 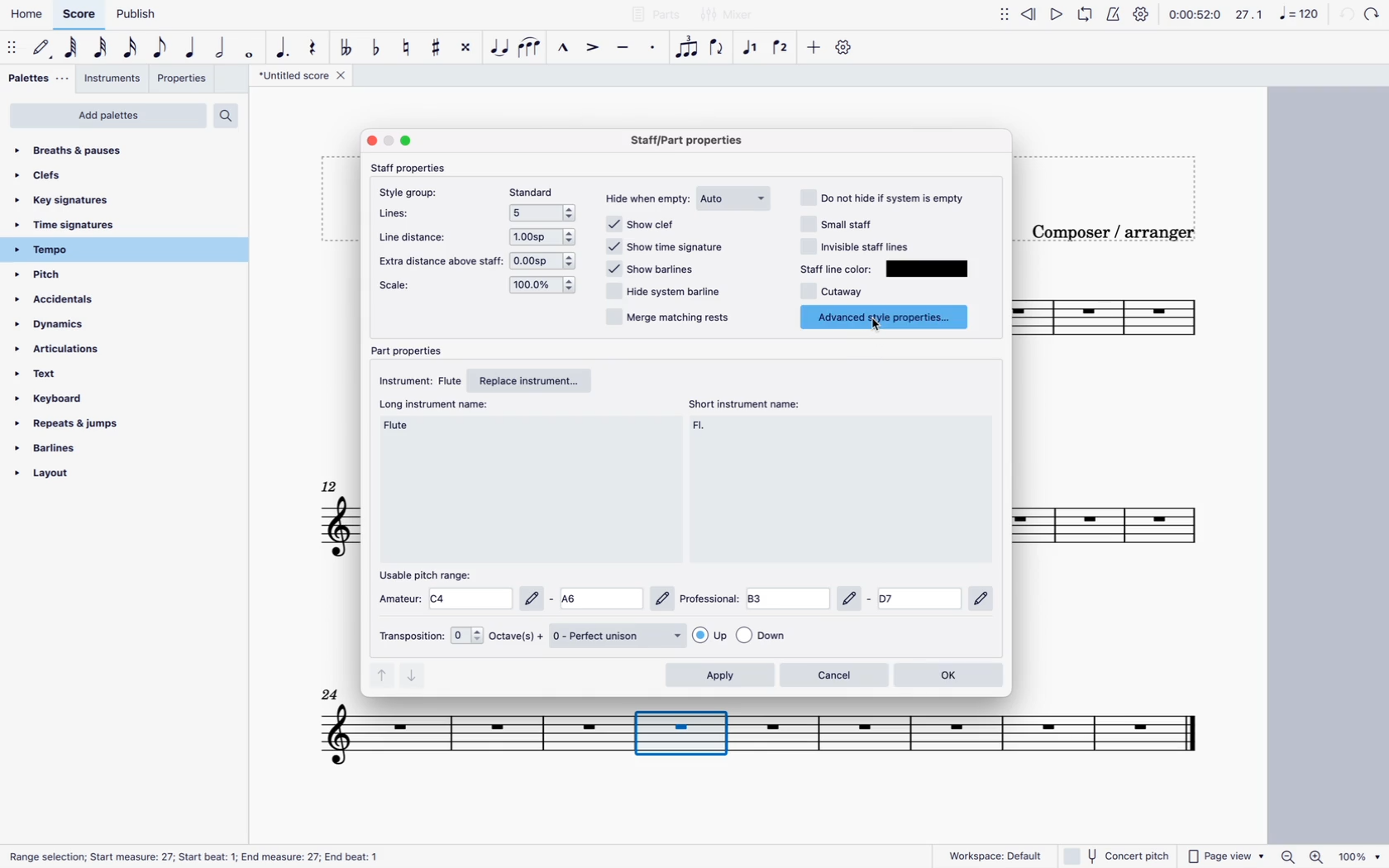 I want to click on add palettes, so click(x=109, y=117).